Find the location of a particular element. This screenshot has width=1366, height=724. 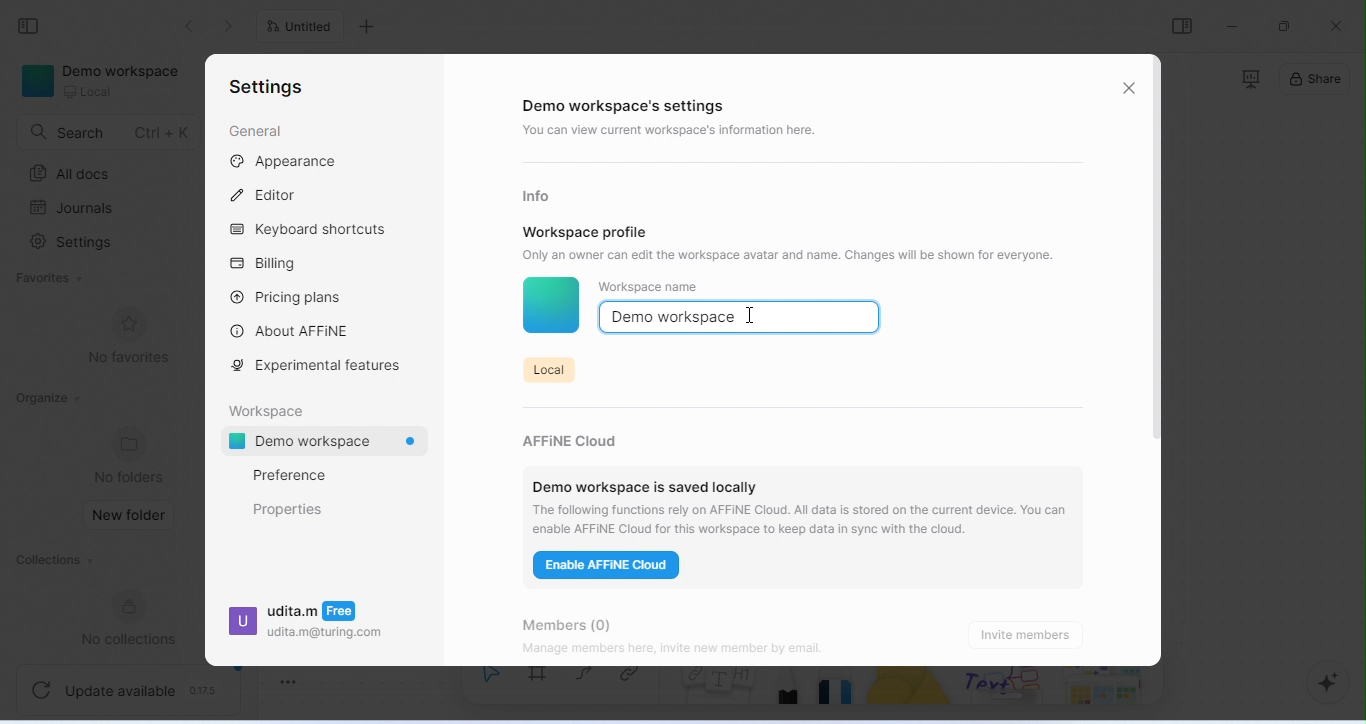

others is located at coordinates (1007, 688).